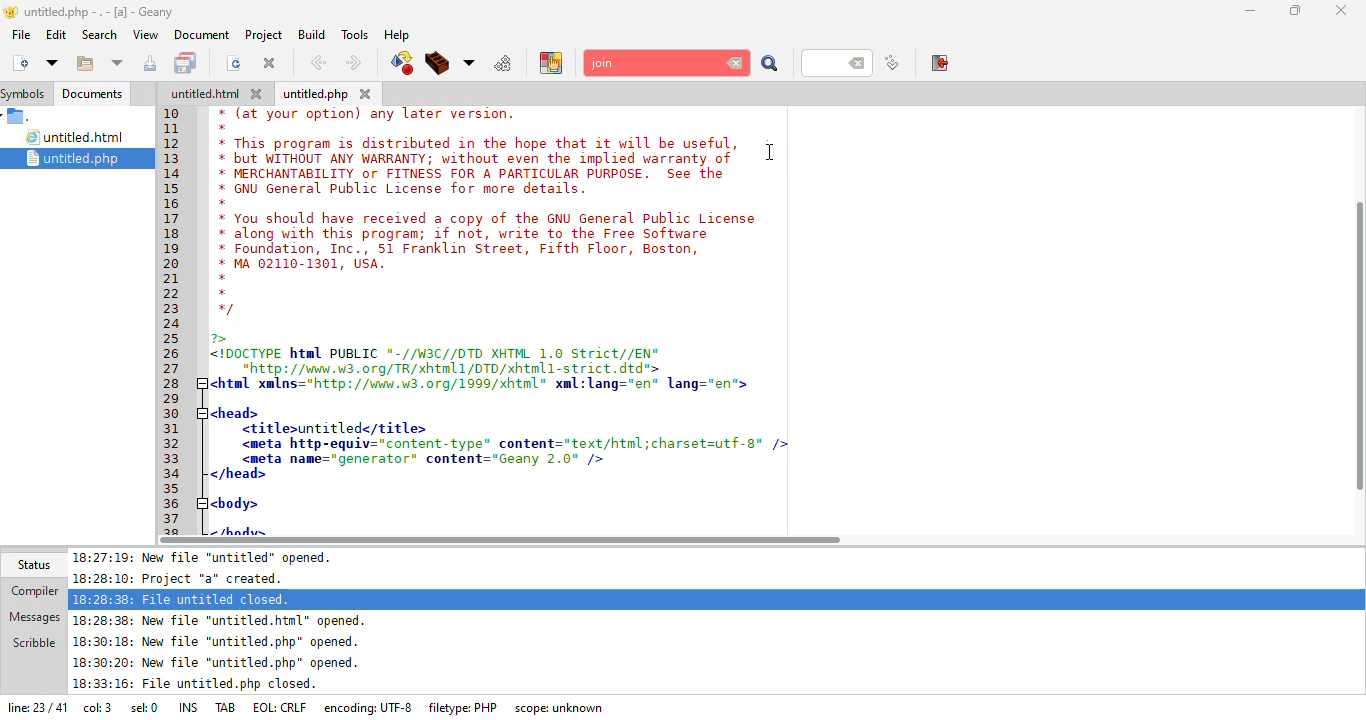  Describe the element at coordinates (309, 34) in the screenshot. I see `build` at that location.